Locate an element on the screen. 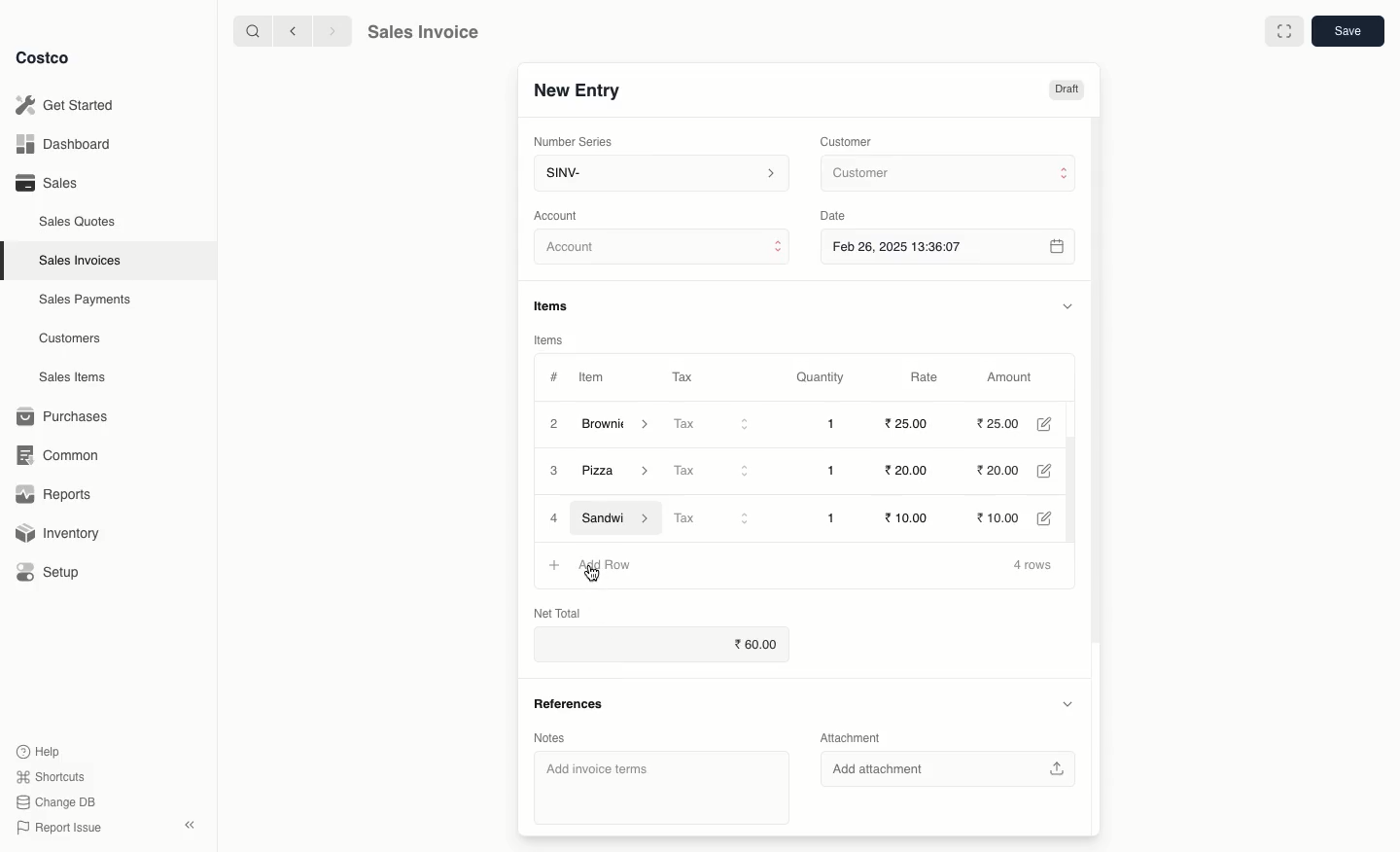 The height and width of the screenshot is (852, 1400). References is located at coordinates (568, 701).